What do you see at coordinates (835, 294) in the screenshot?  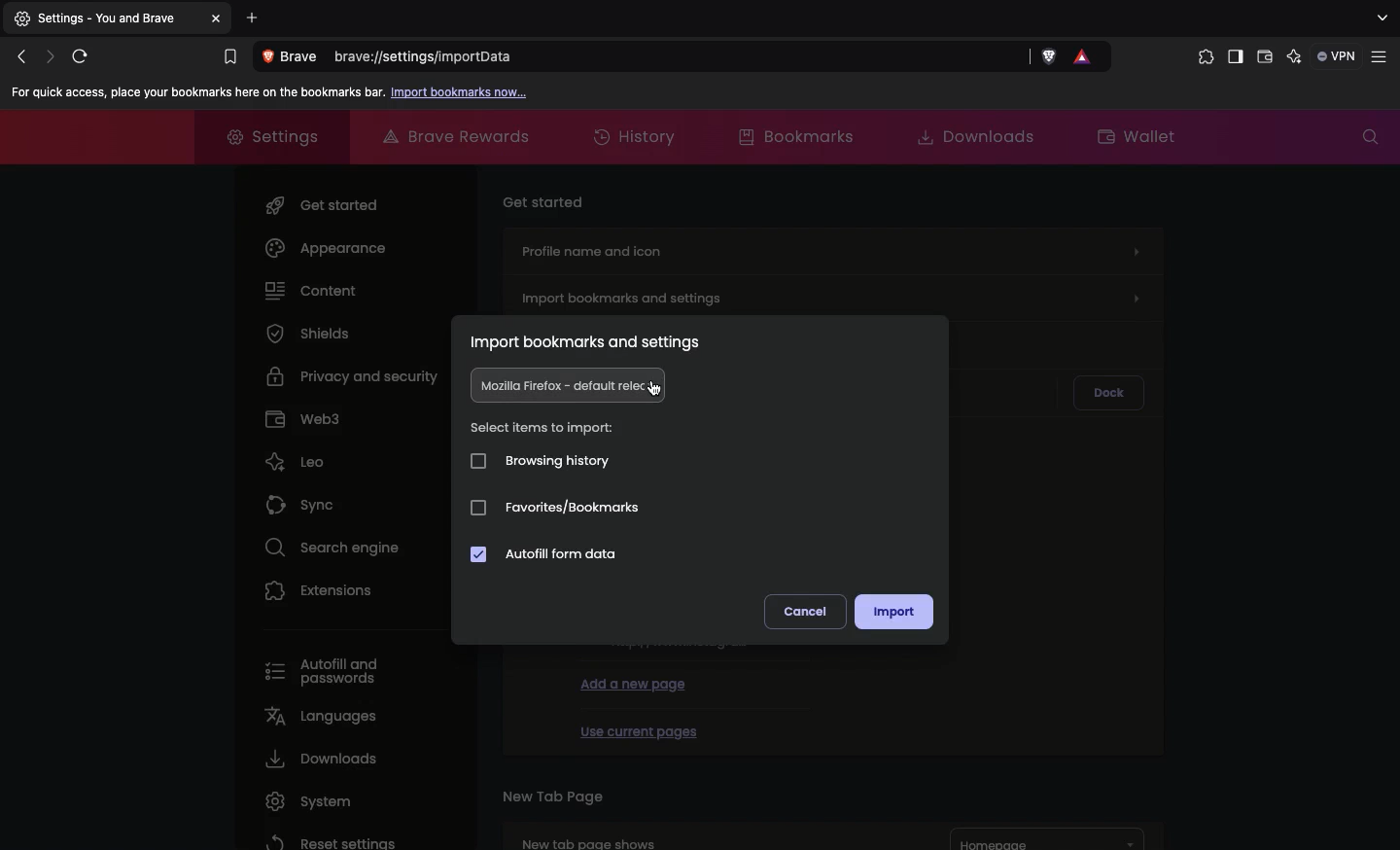 I see `Import bookmarks and settings` at bounding box center [835, 294].